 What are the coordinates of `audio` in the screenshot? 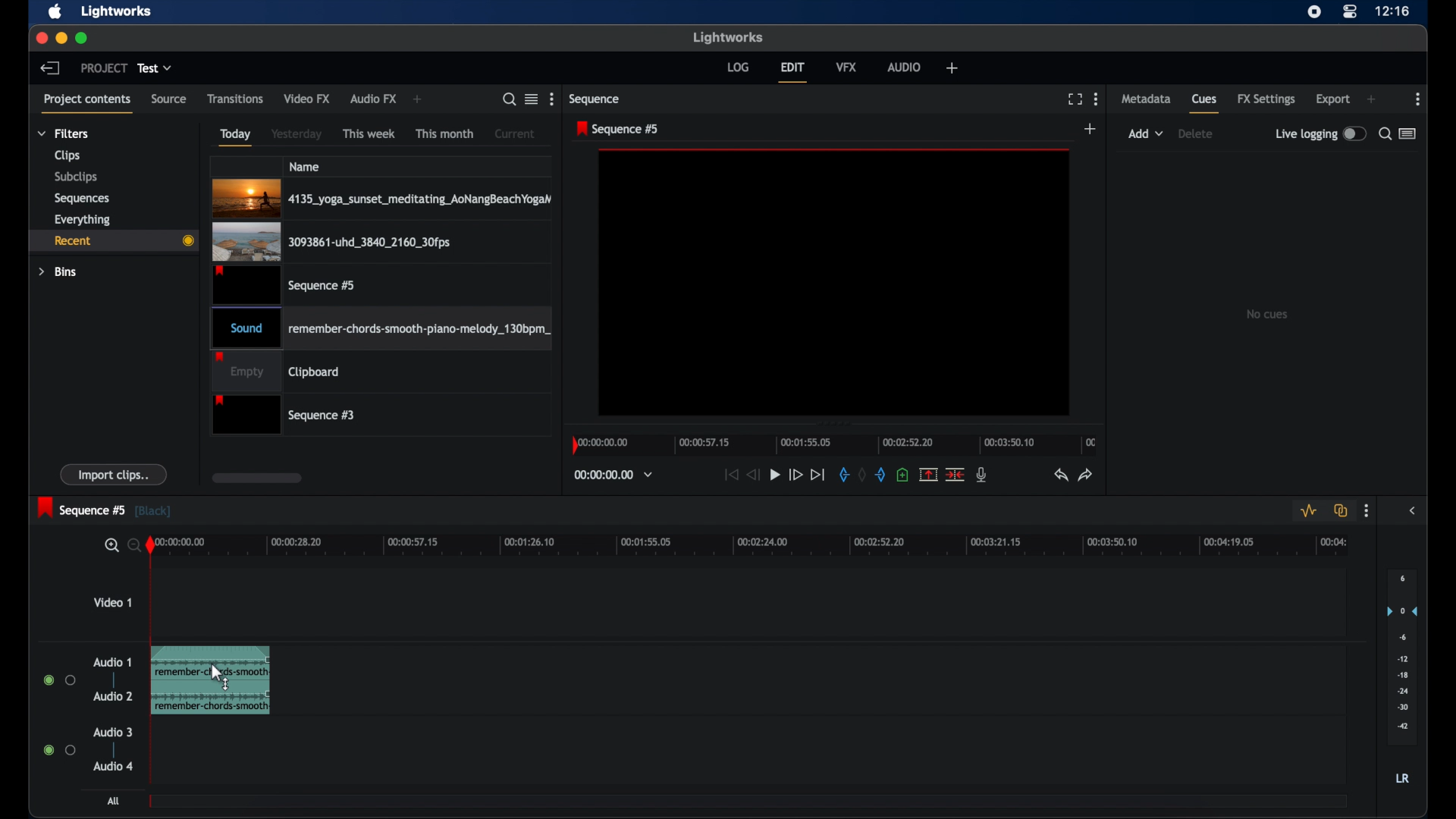 It's located at (904, 66).